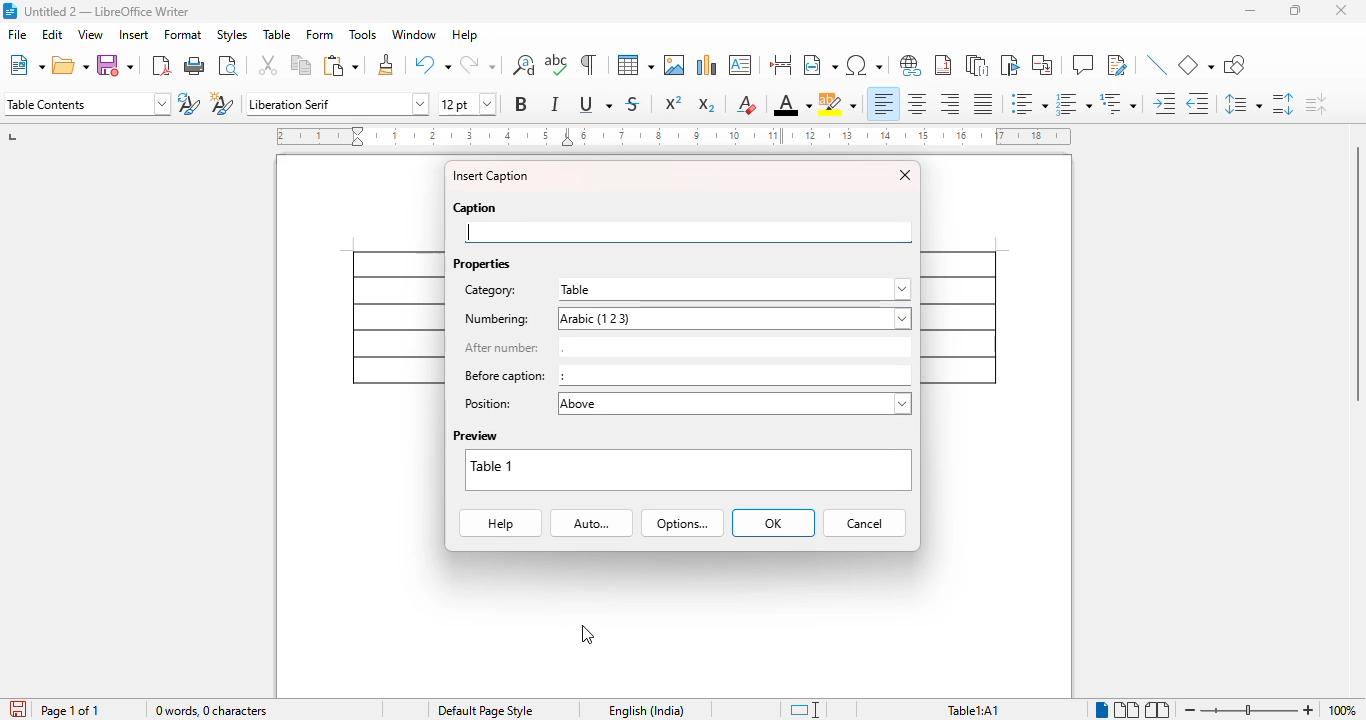 Image resolution: width=1366 pixels, height=720 pixels. I want to click on new, so click(27, 65).